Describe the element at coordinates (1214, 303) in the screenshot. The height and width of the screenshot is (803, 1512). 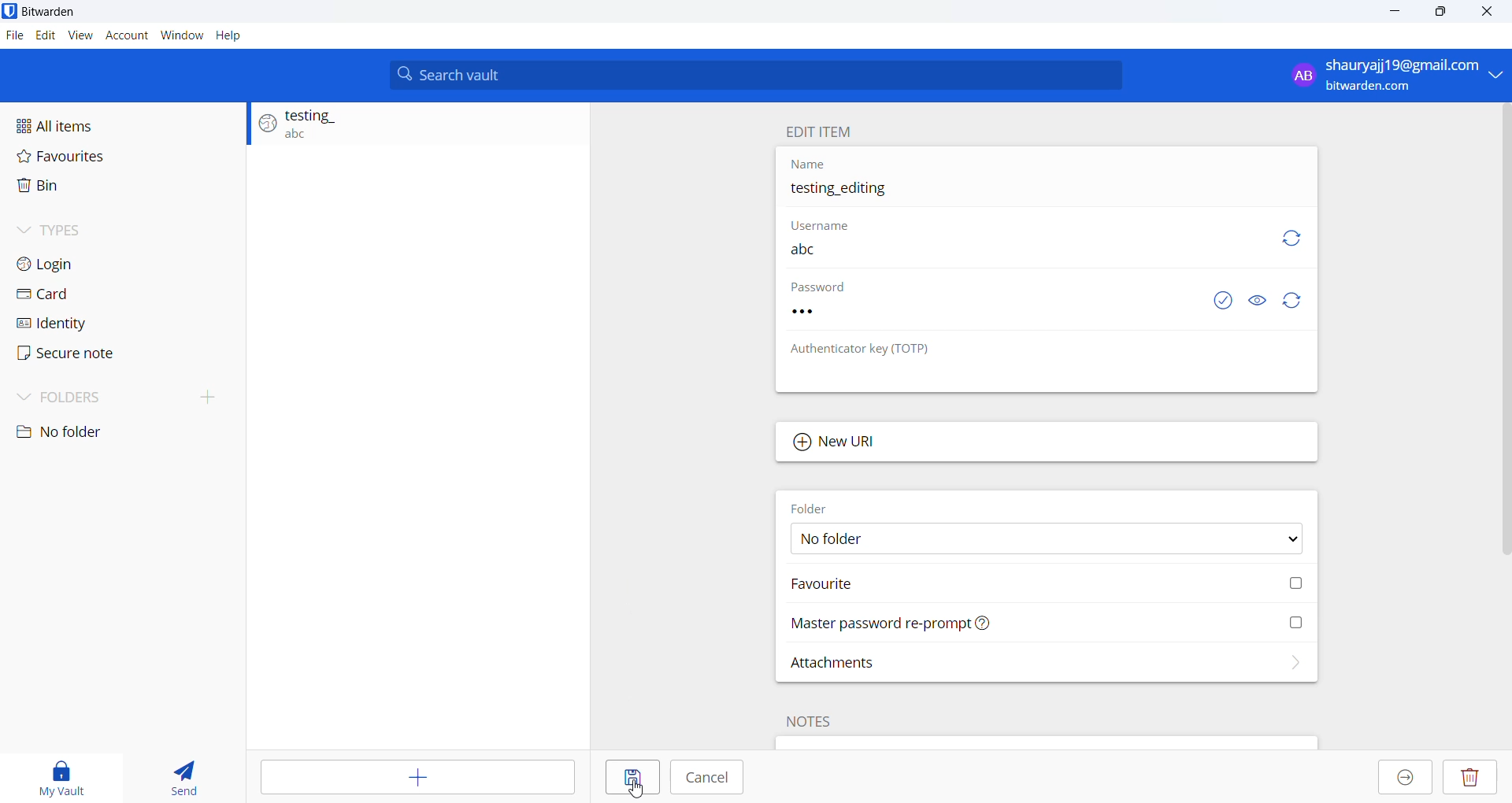
I see `check password exposed` at that location.